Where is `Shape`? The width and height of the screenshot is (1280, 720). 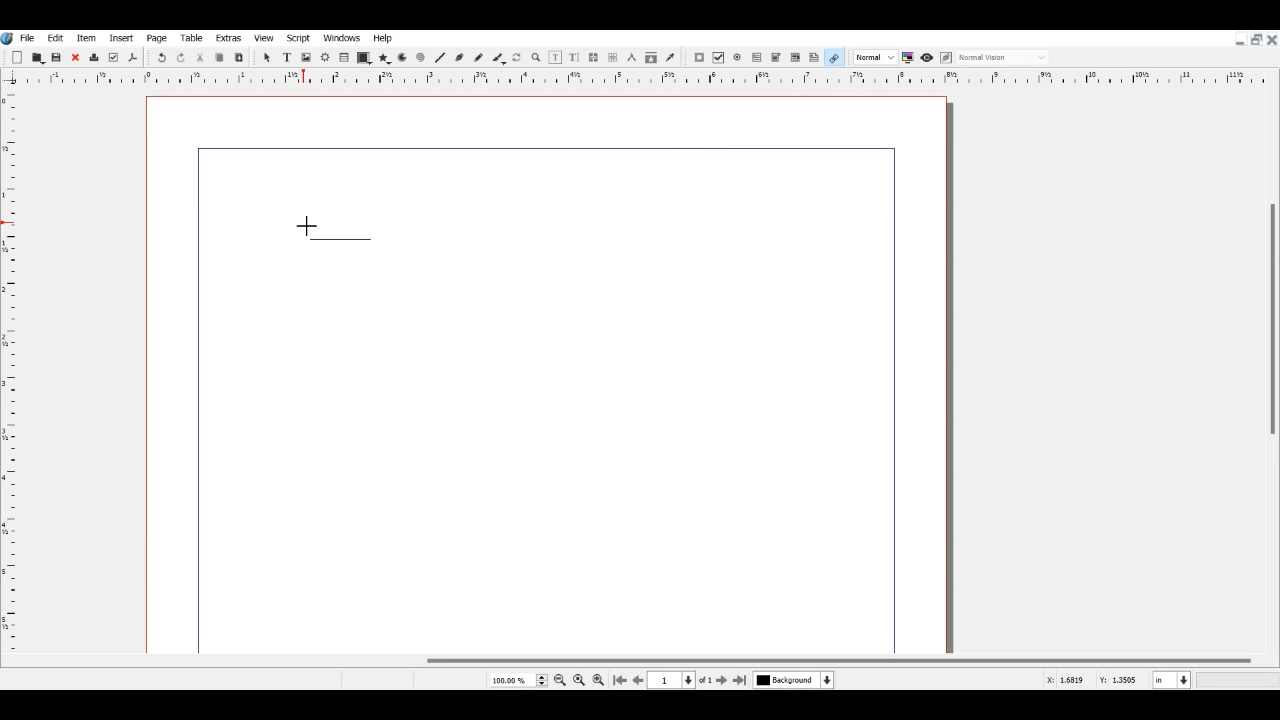
Shape is located at coordinates (364, 58).